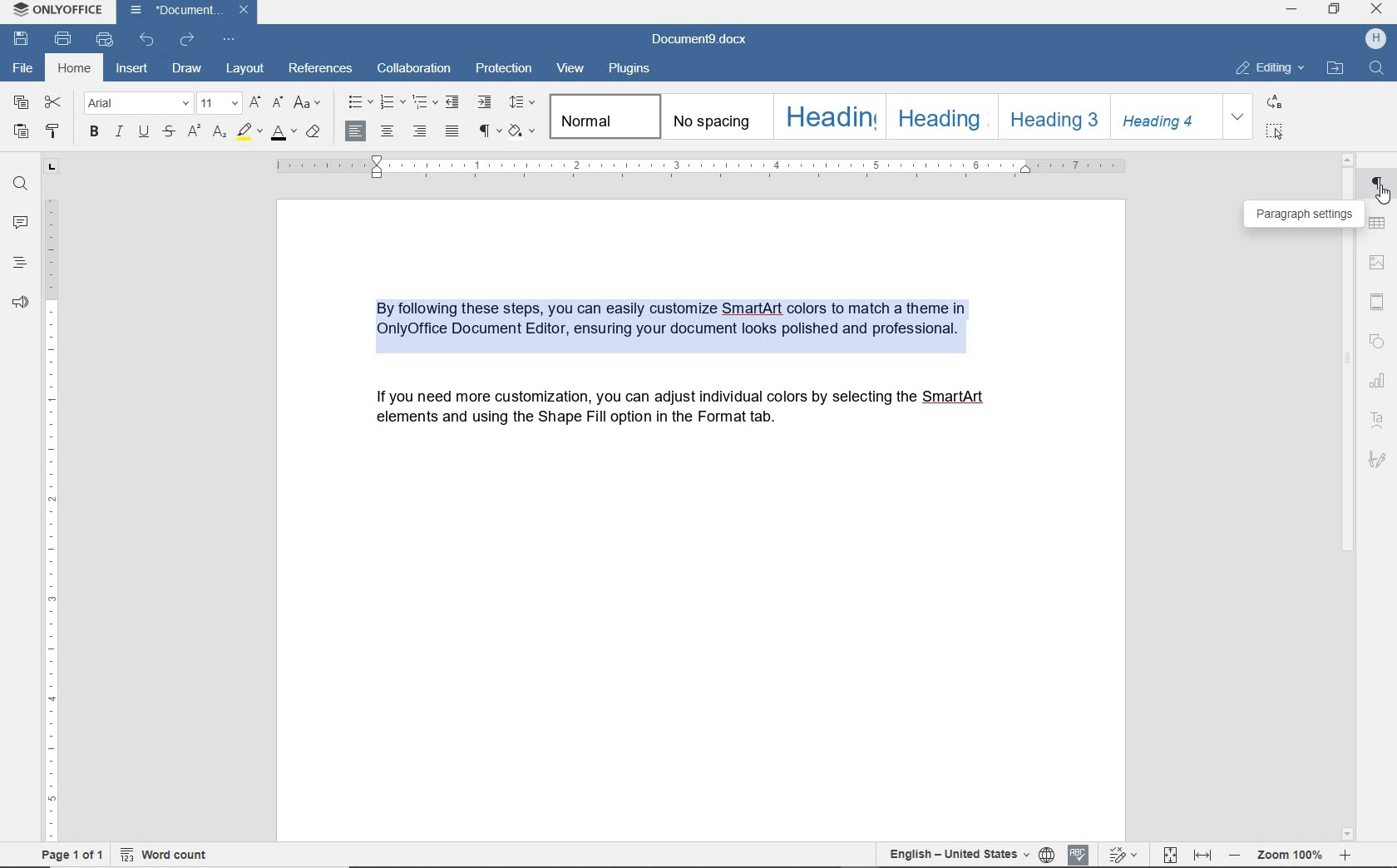 Image resolution: width=1397 pixels, height=868 pixels. Describe the element at coordinates (22, 65) in the screenshot. I see `file` at that location.